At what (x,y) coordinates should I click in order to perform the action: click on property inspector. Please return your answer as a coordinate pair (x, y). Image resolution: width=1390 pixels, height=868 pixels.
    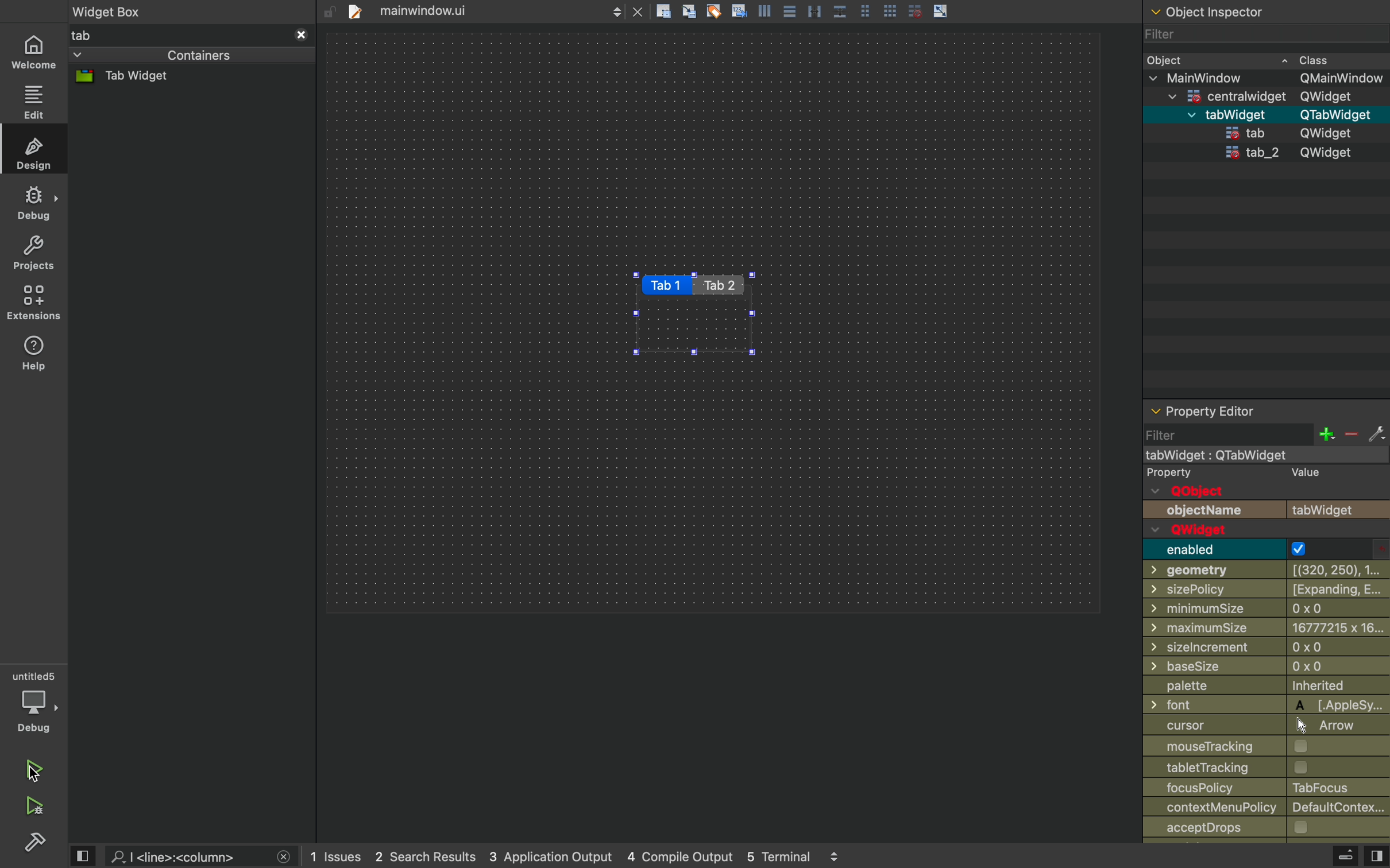
    Looking at the image, I should click on (1266, 410).